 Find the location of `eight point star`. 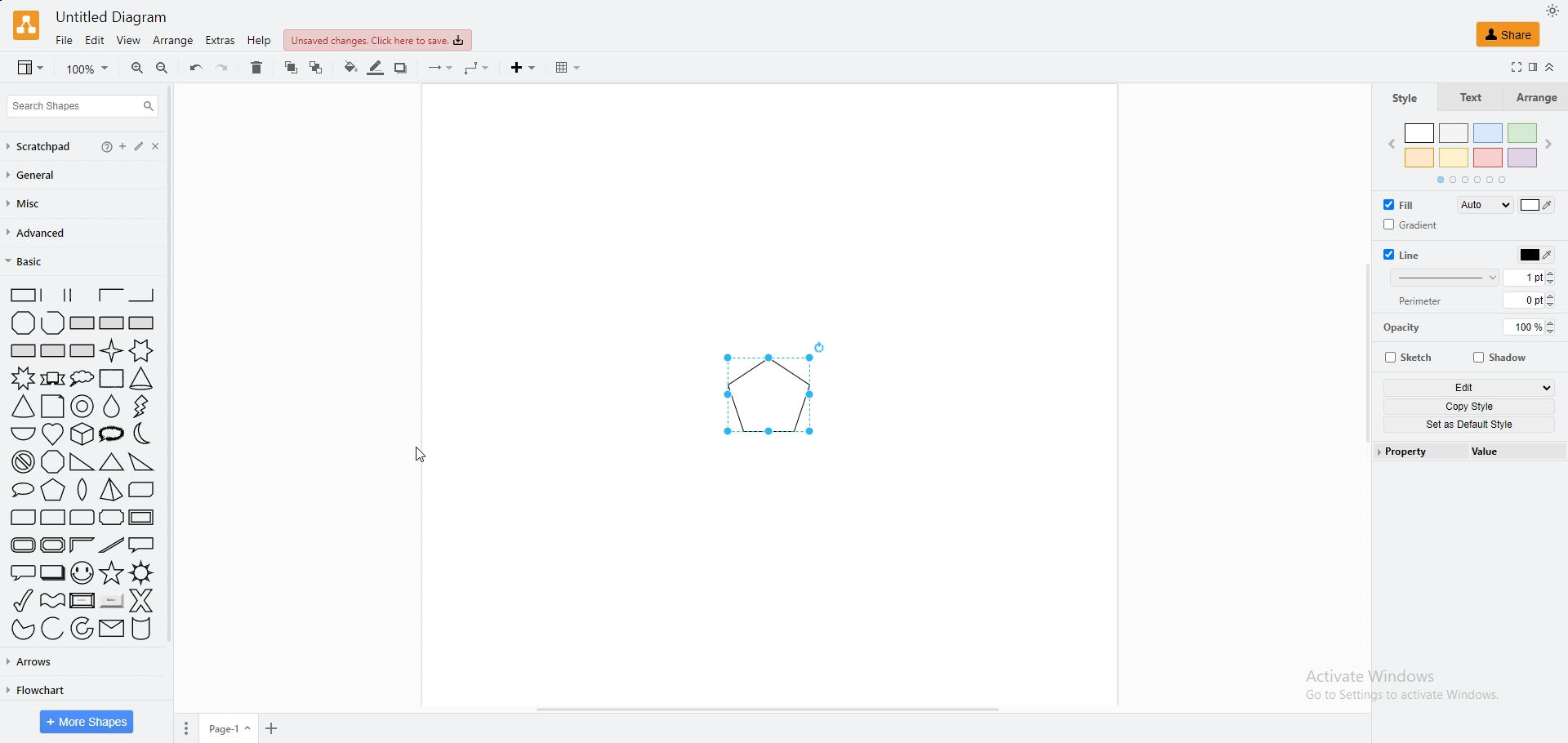

eight point star is located at coordinates (21, 378).